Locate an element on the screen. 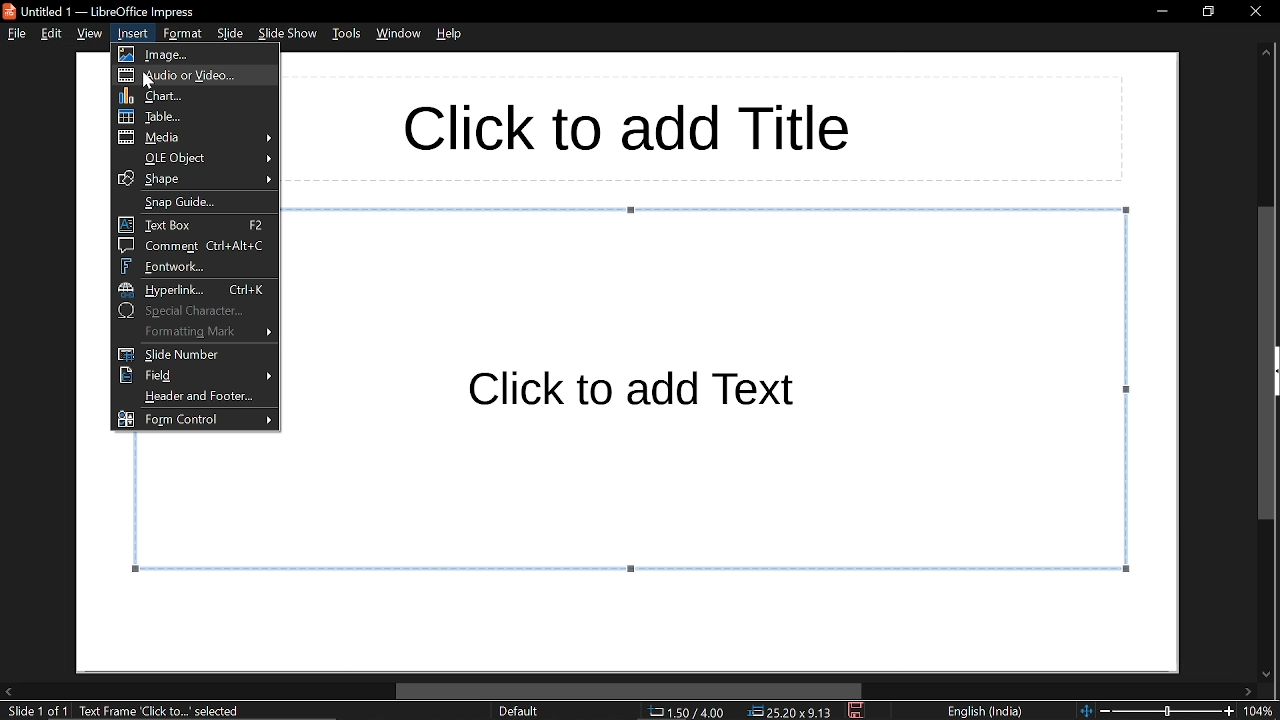 The width and height of the screenshot is (1280, 720). OLE object is located at coordinates (194, 159).